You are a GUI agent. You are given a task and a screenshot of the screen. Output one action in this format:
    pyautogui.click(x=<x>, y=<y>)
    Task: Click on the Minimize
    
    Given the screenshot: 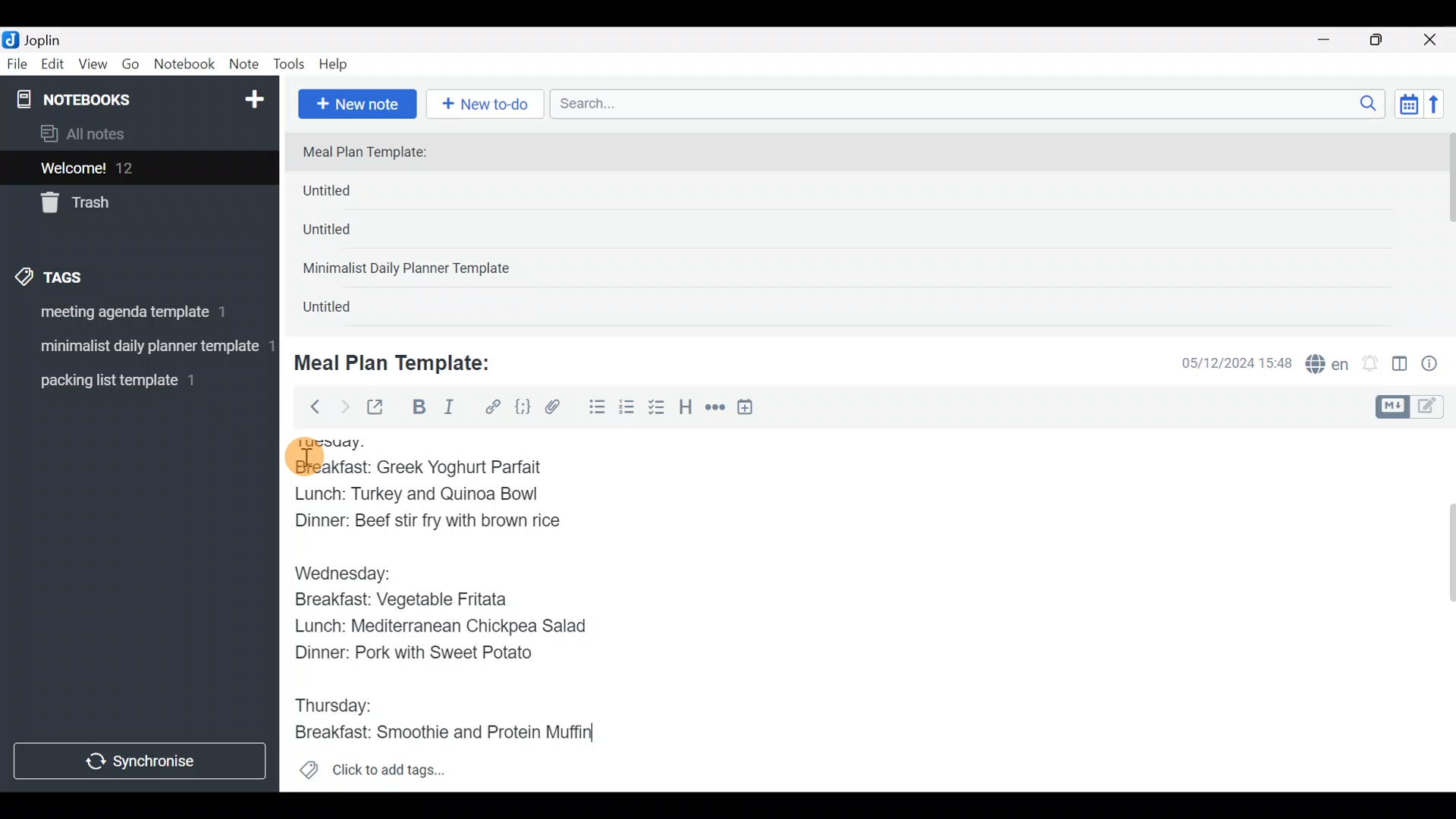 What is the action you would take?
    pyautogui.click(x=1332, y=38)
    